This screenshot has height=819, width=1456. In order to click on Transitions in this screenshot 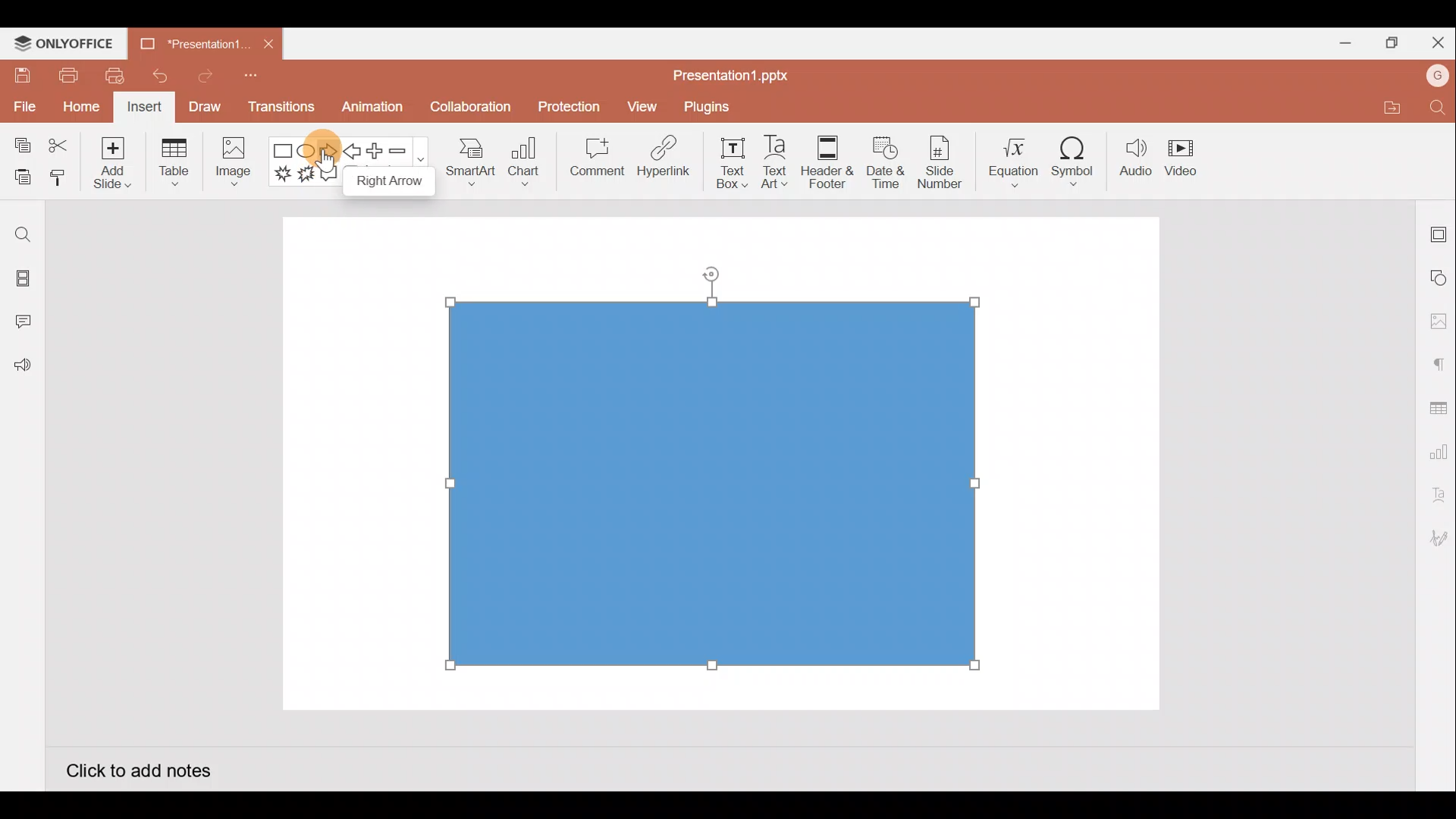, I will do `click(282, 111)`.